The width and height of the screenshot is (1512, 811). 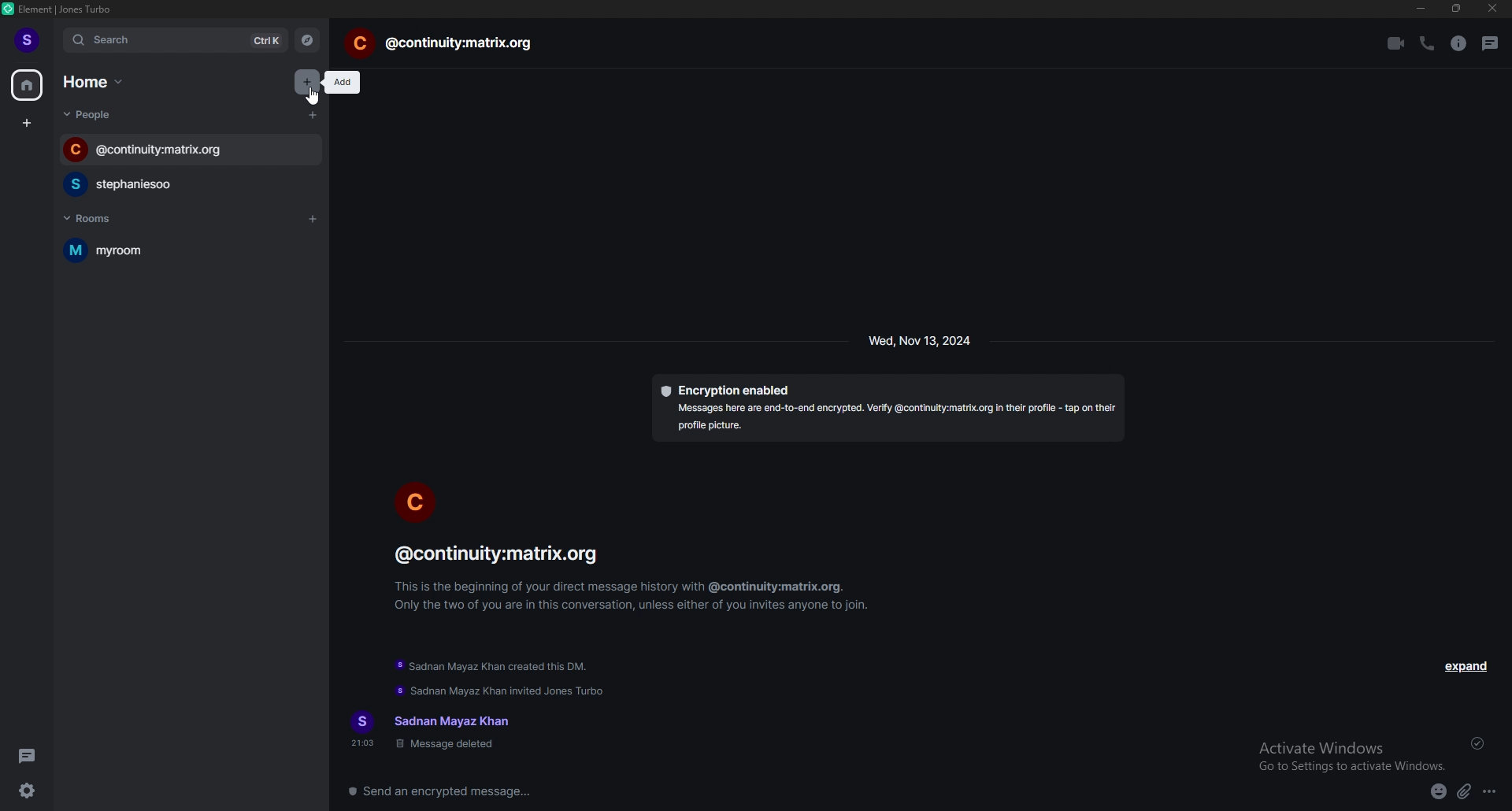 I want to click on explore rooms, so click(x=308, y=40).